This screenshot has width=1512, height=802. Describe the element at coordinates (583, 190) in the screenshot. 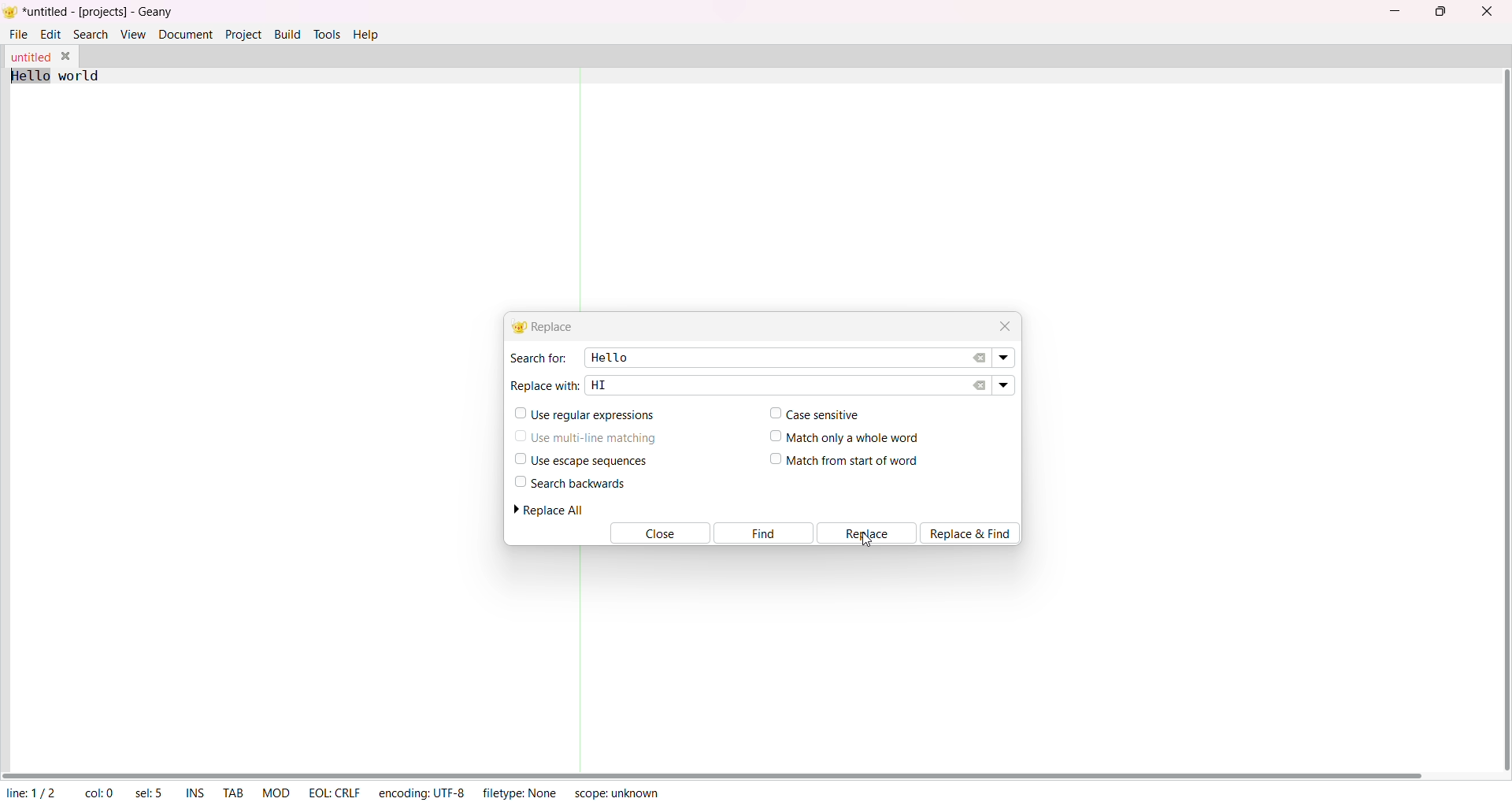

I see `Separator` at that location.